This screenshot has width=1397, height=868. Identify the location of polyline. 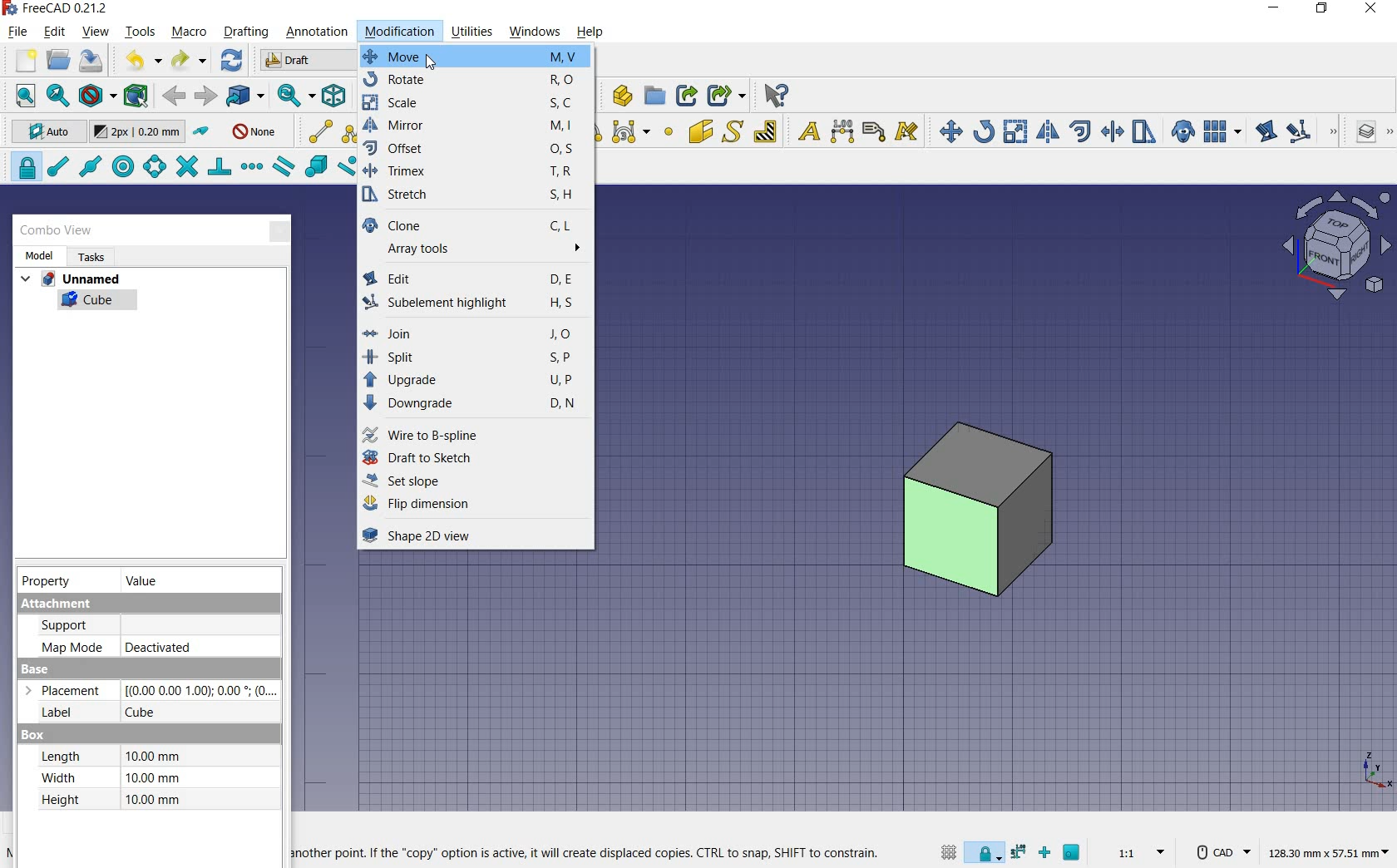
(354, 132).